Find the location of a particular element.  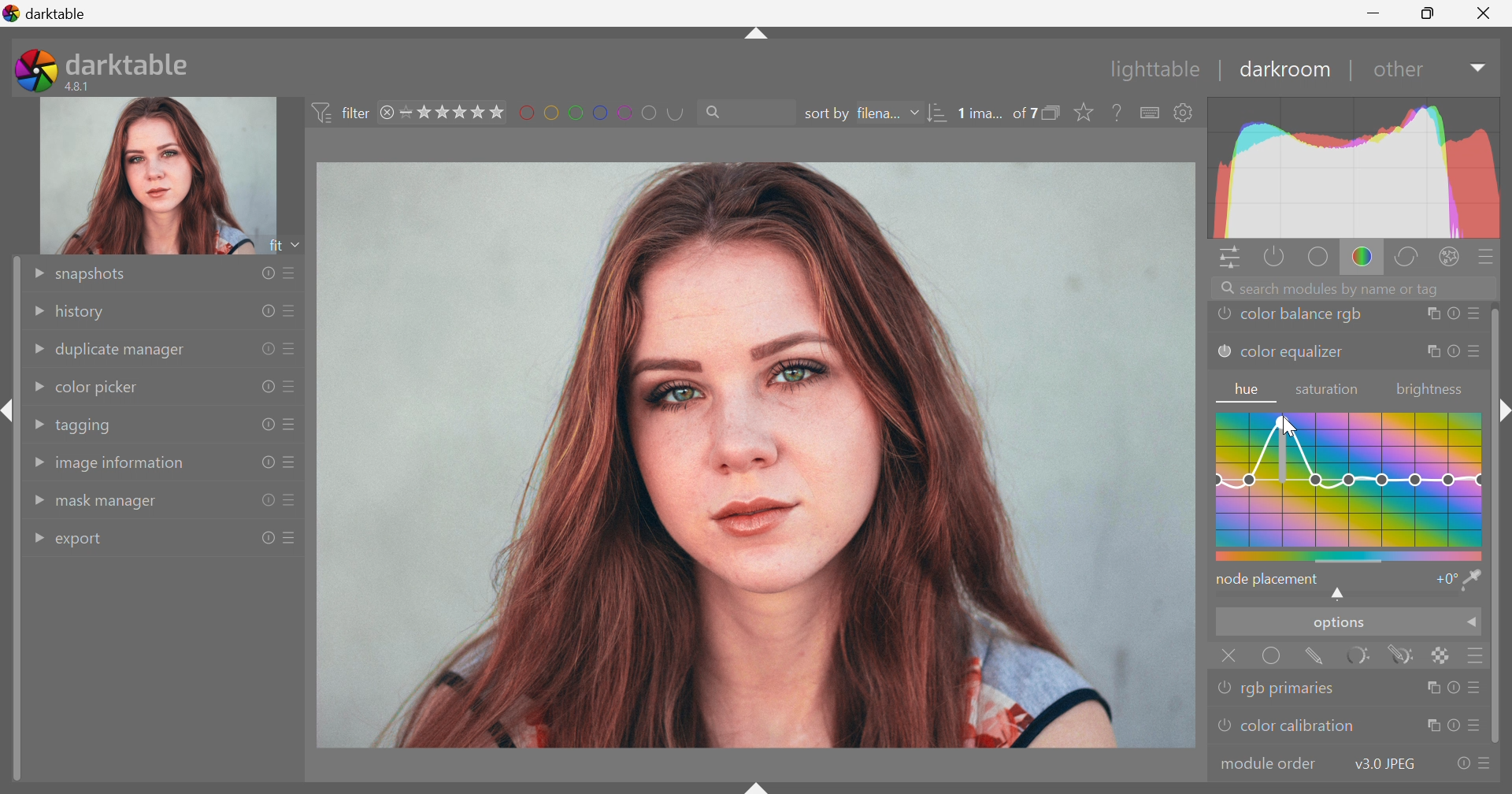

show global preference is located at coordinates (1184, 113).